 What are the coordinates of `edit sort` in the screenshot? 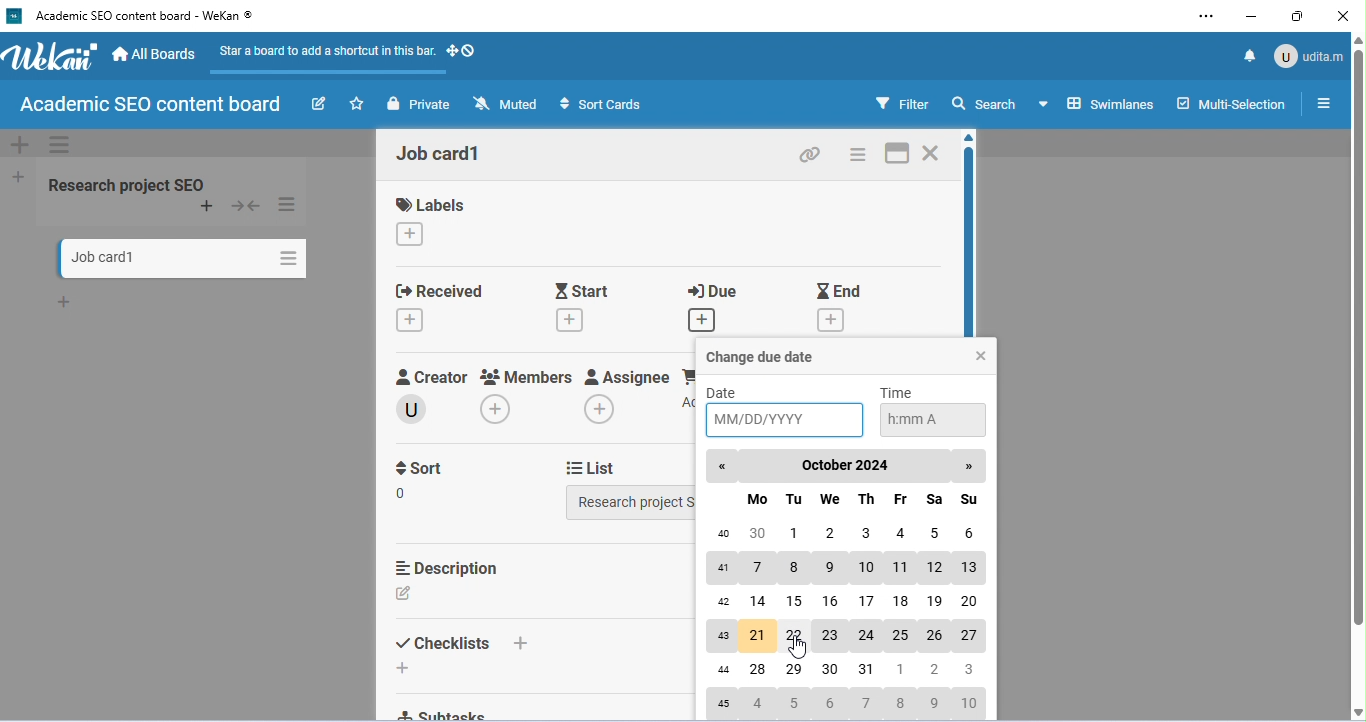 It's located at (412, 494).